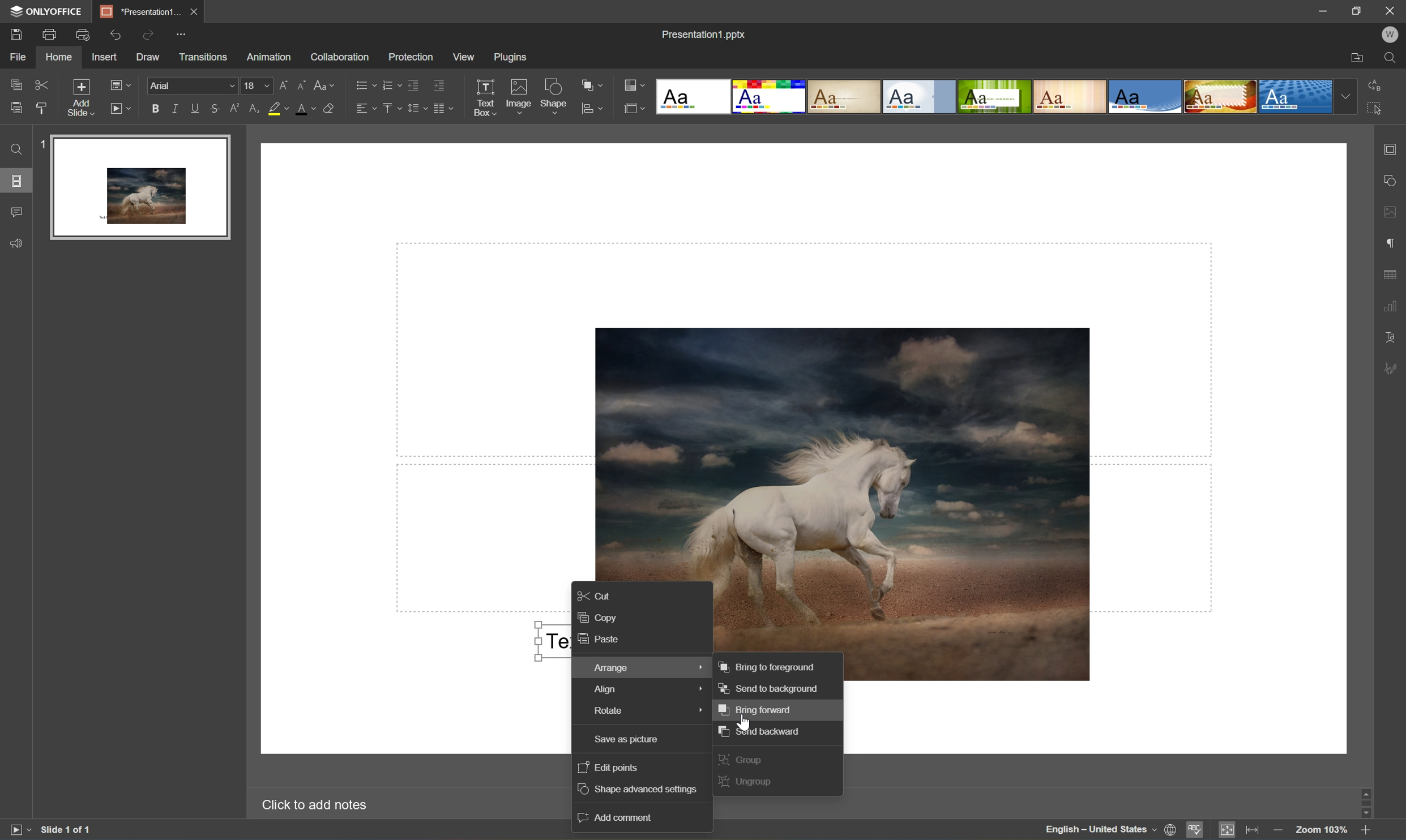 This screenshot has height=840, width=1406. Describe the element at coordinates (49, 11) in the screenshot. I see `ONLYOFFICE` at that location.